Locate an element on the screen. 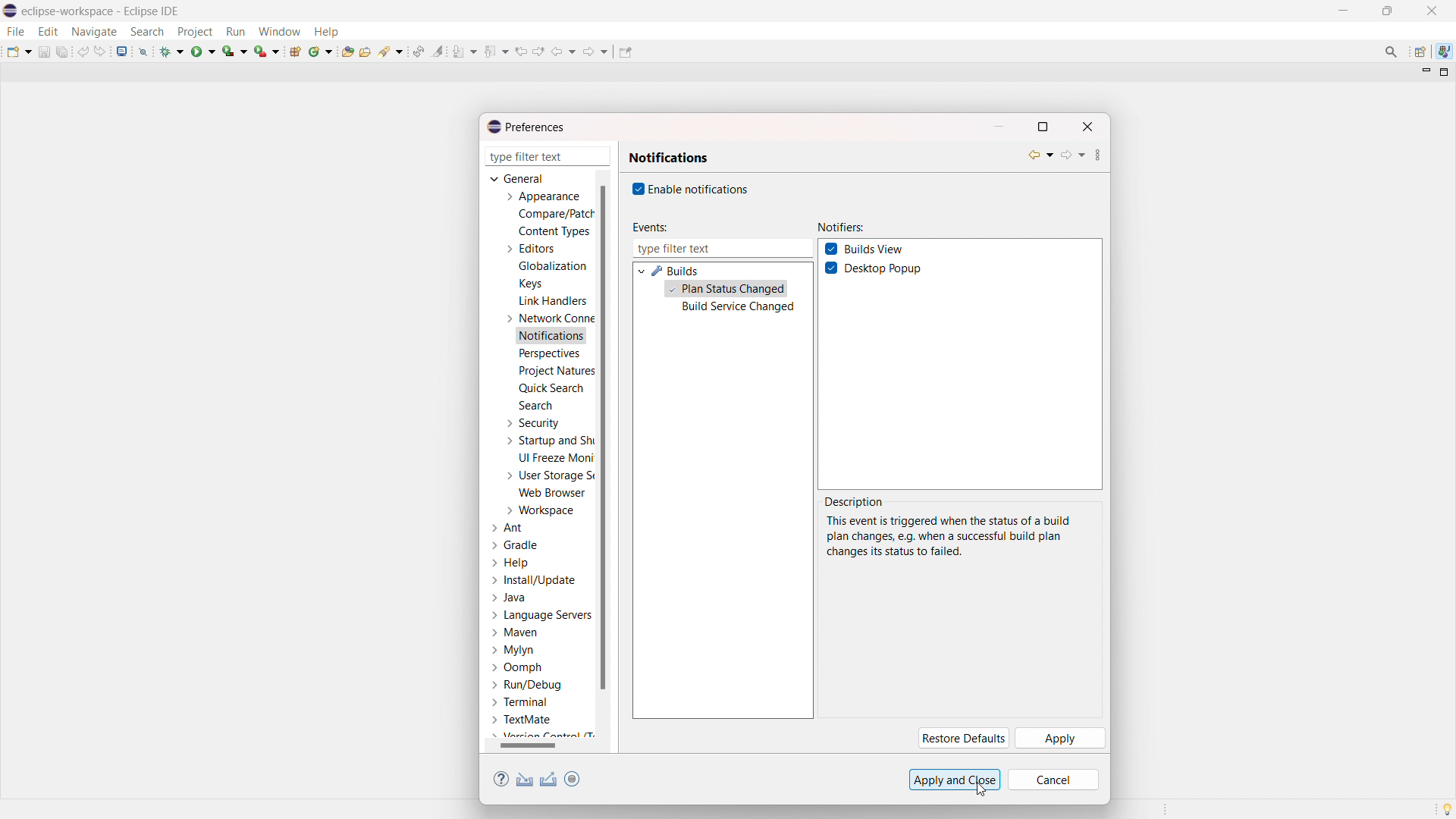 This screenshot has width=1456, height=819. save is located at coordinates (44, 52).